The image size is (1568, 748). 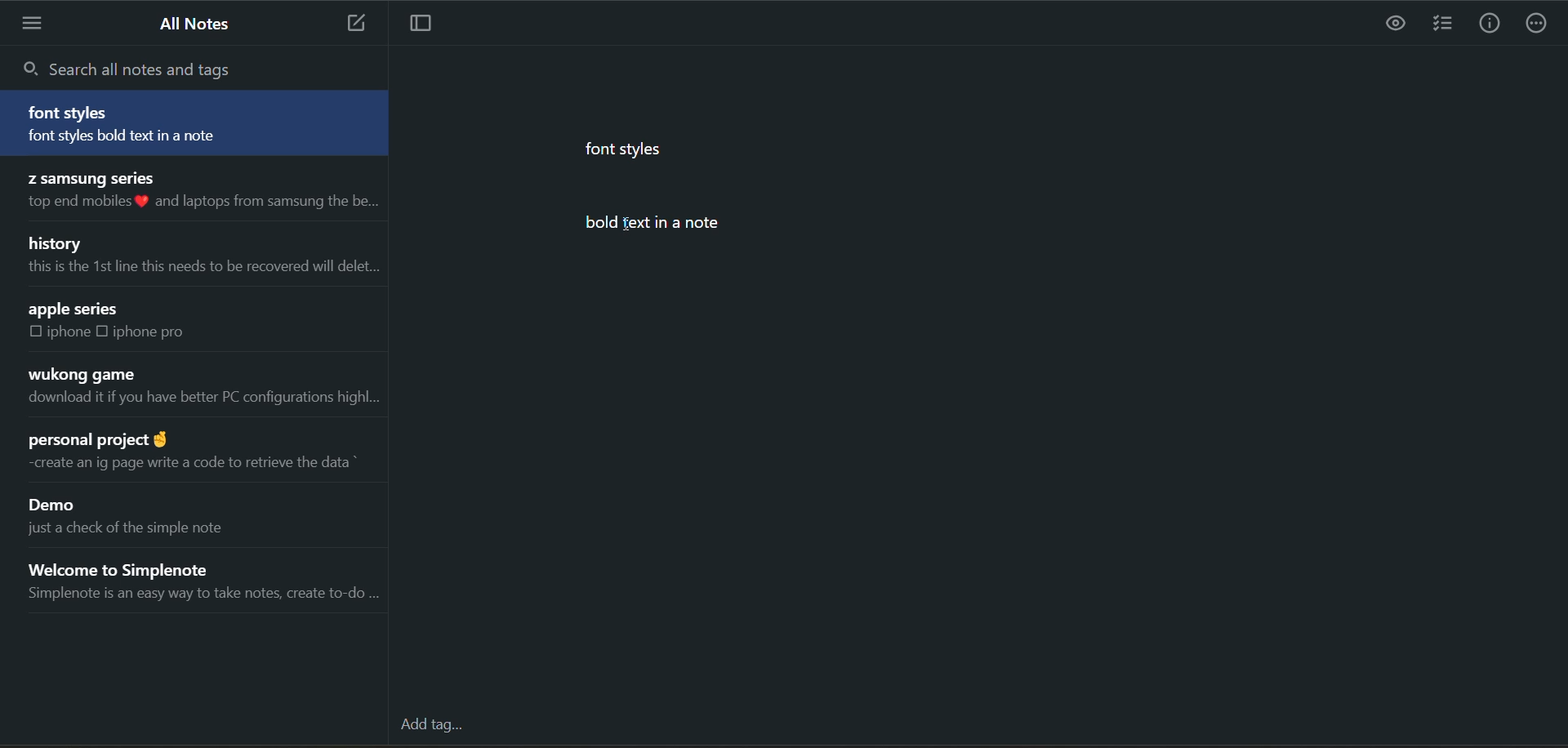 I want to click on search, so click(x=136, y=68).